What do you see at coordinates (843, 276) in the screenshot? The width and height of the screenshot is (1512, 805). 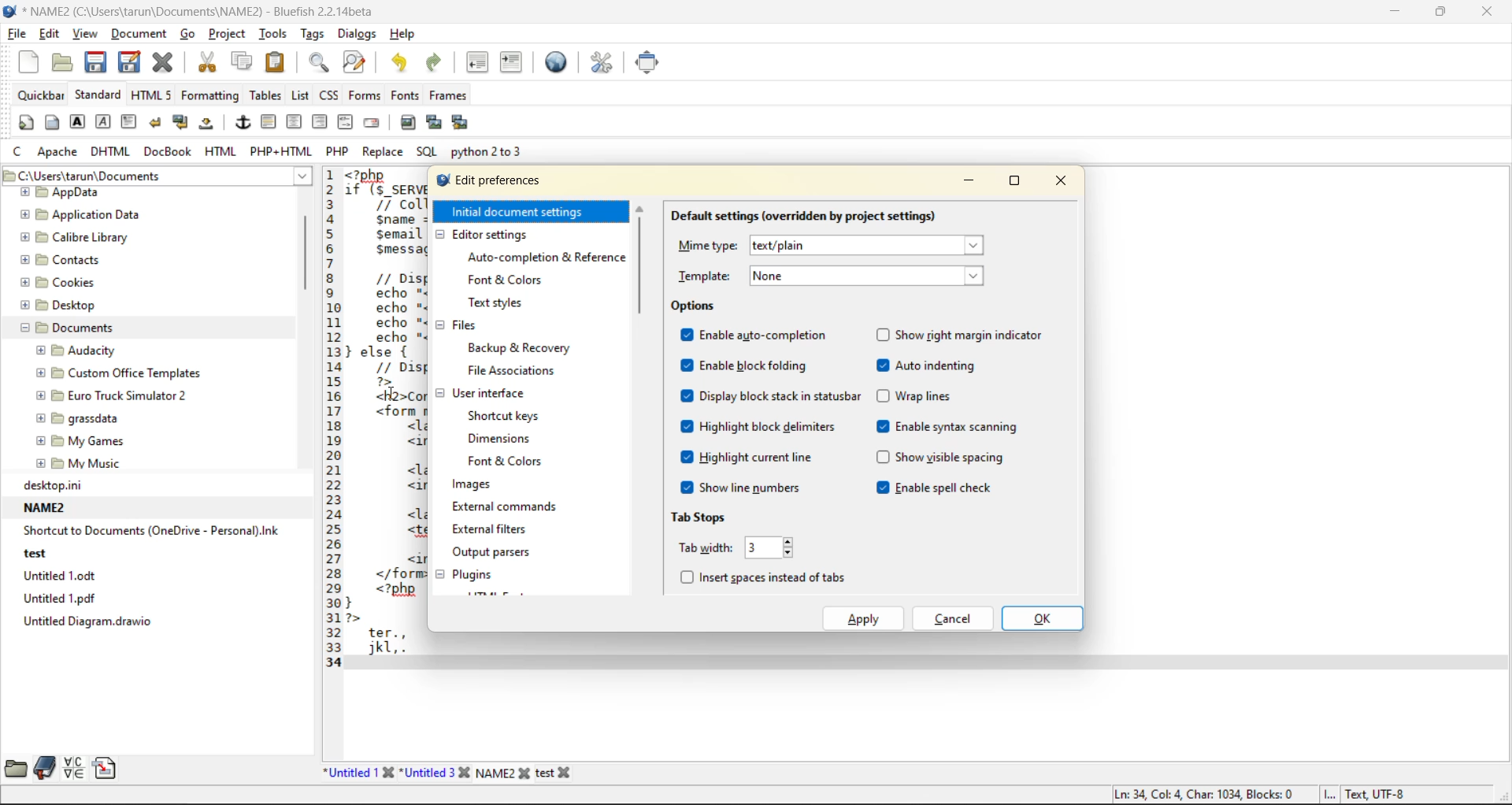 I see `template` at bounding box center [843, 276].